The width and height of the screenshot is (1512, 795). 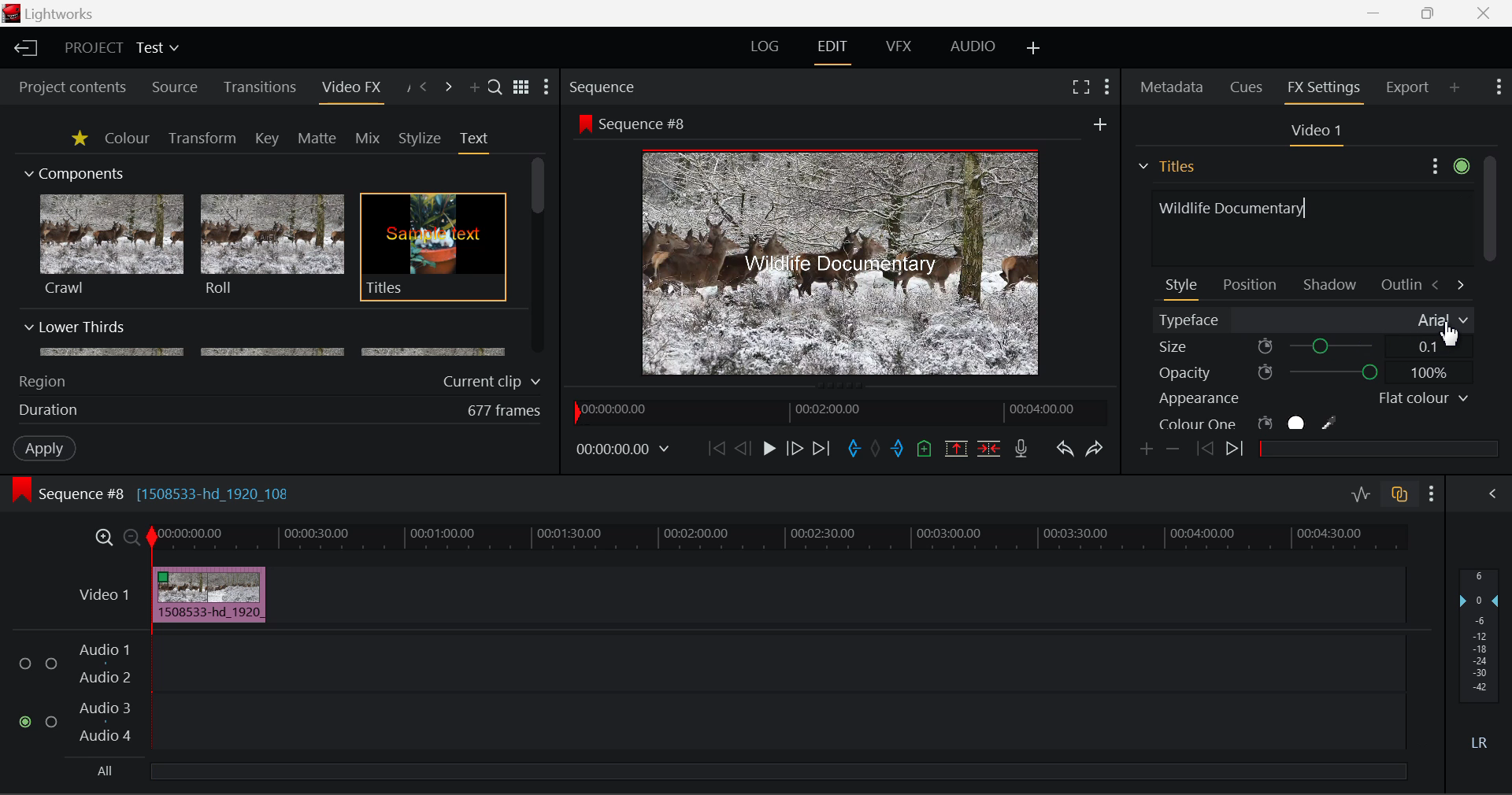 What do you see at coordinates (127, 137) in the screenshot?
I see `Colour` at bounding box center [127, 137].